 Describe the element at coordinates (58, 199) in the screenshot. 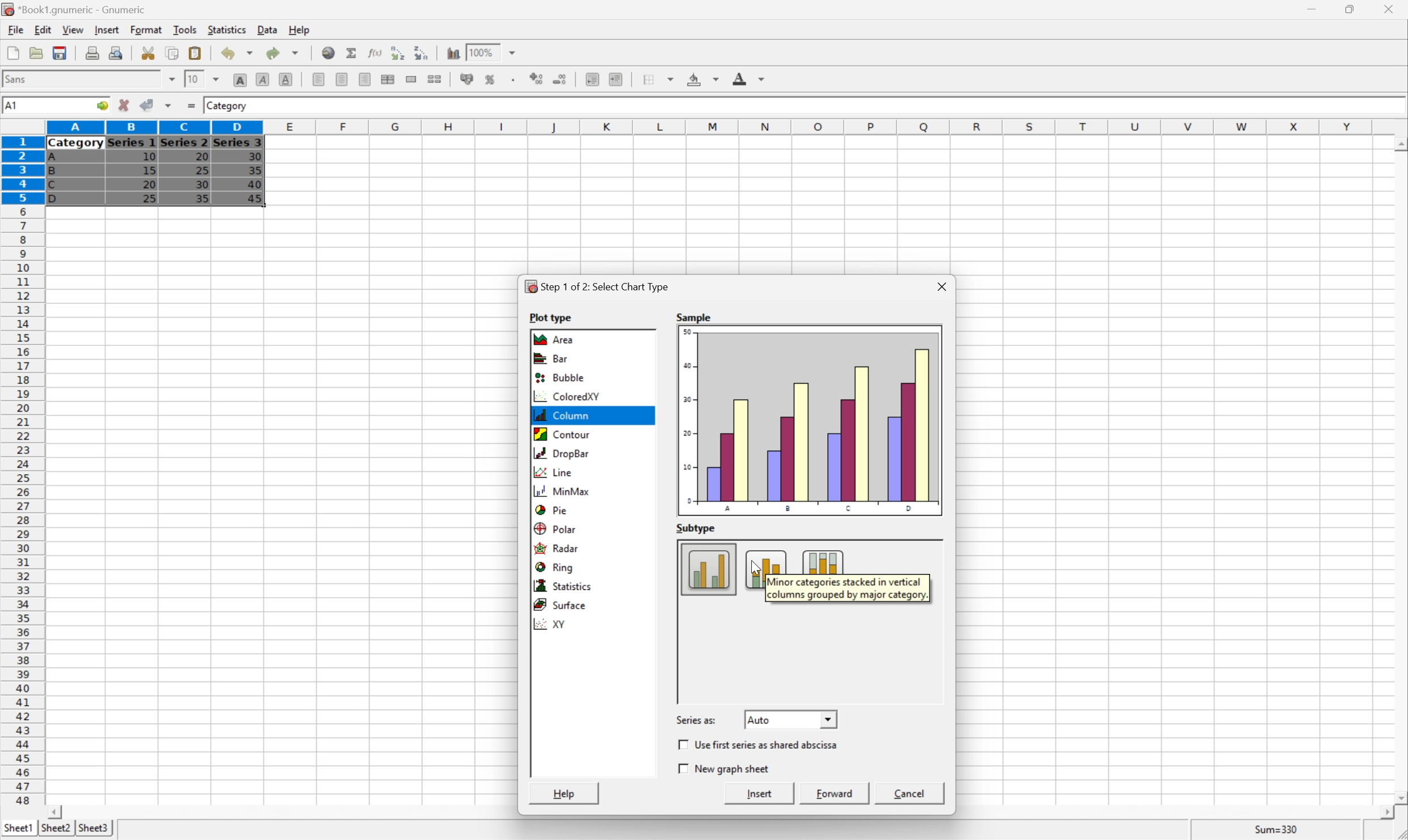

I see `D` at that location.